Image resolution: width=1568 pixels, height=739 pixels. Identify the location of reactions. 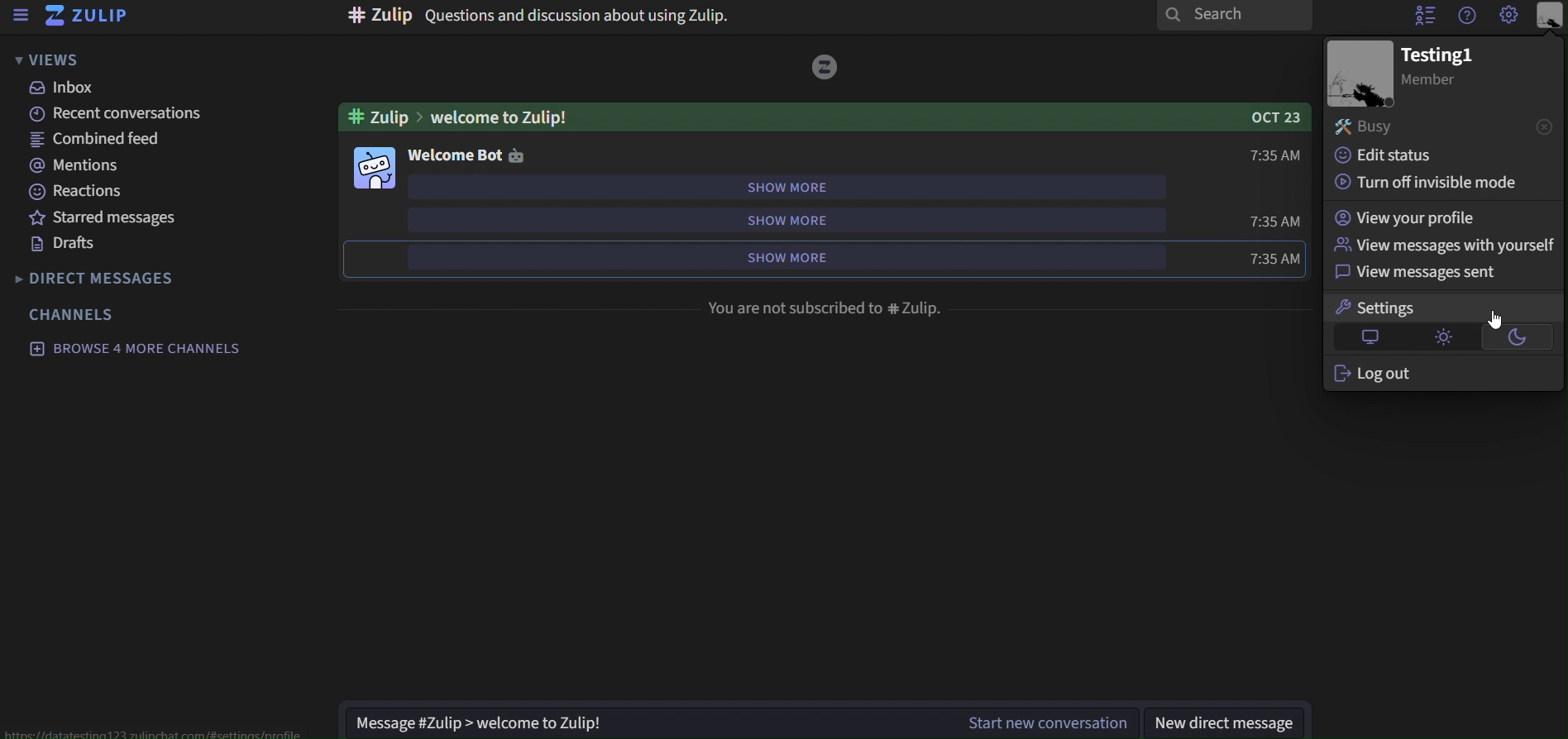
(142, 192).